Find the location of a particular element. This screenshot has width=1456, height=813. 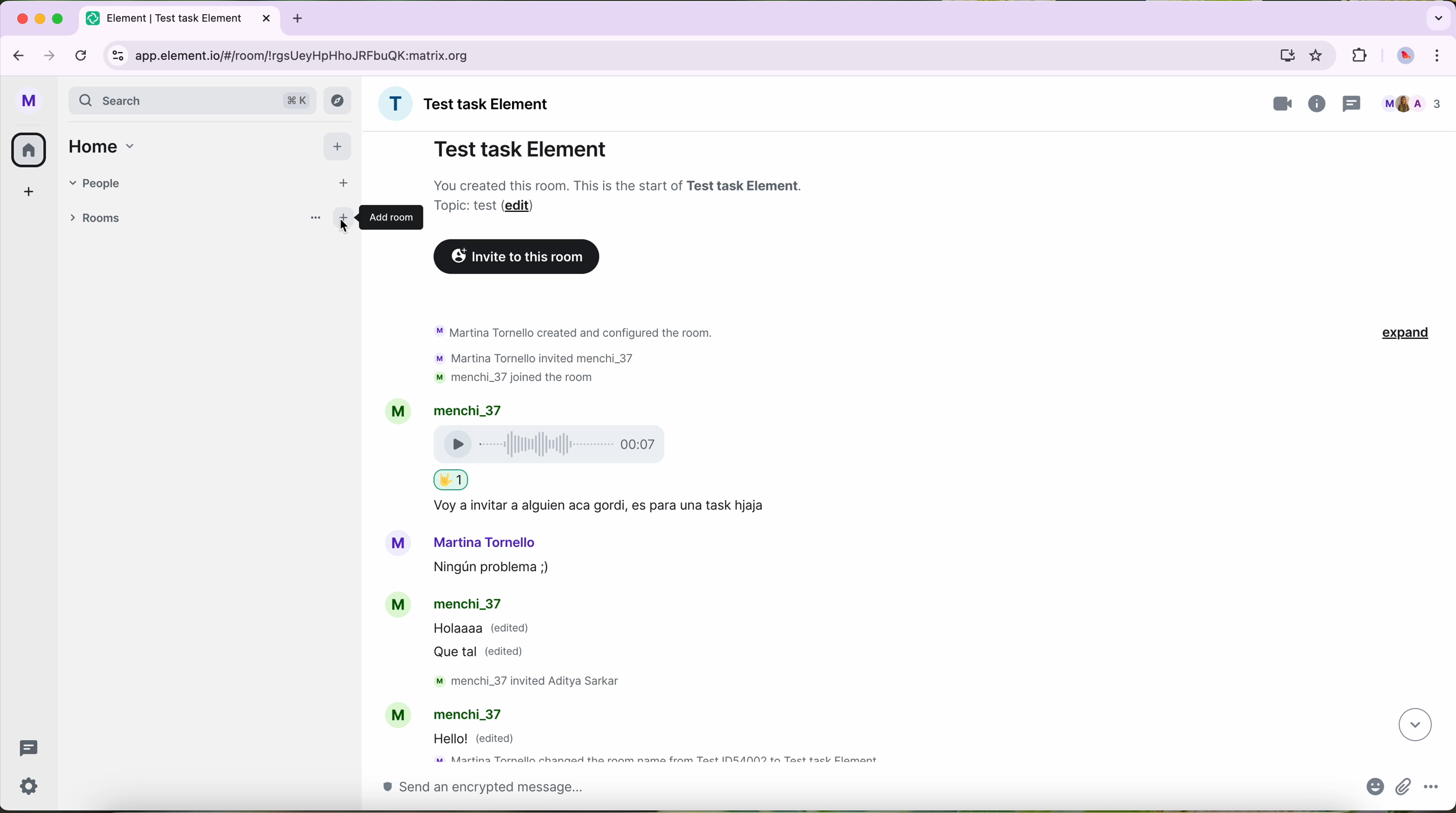

invite to this room button is located at coordinates (519, 256).